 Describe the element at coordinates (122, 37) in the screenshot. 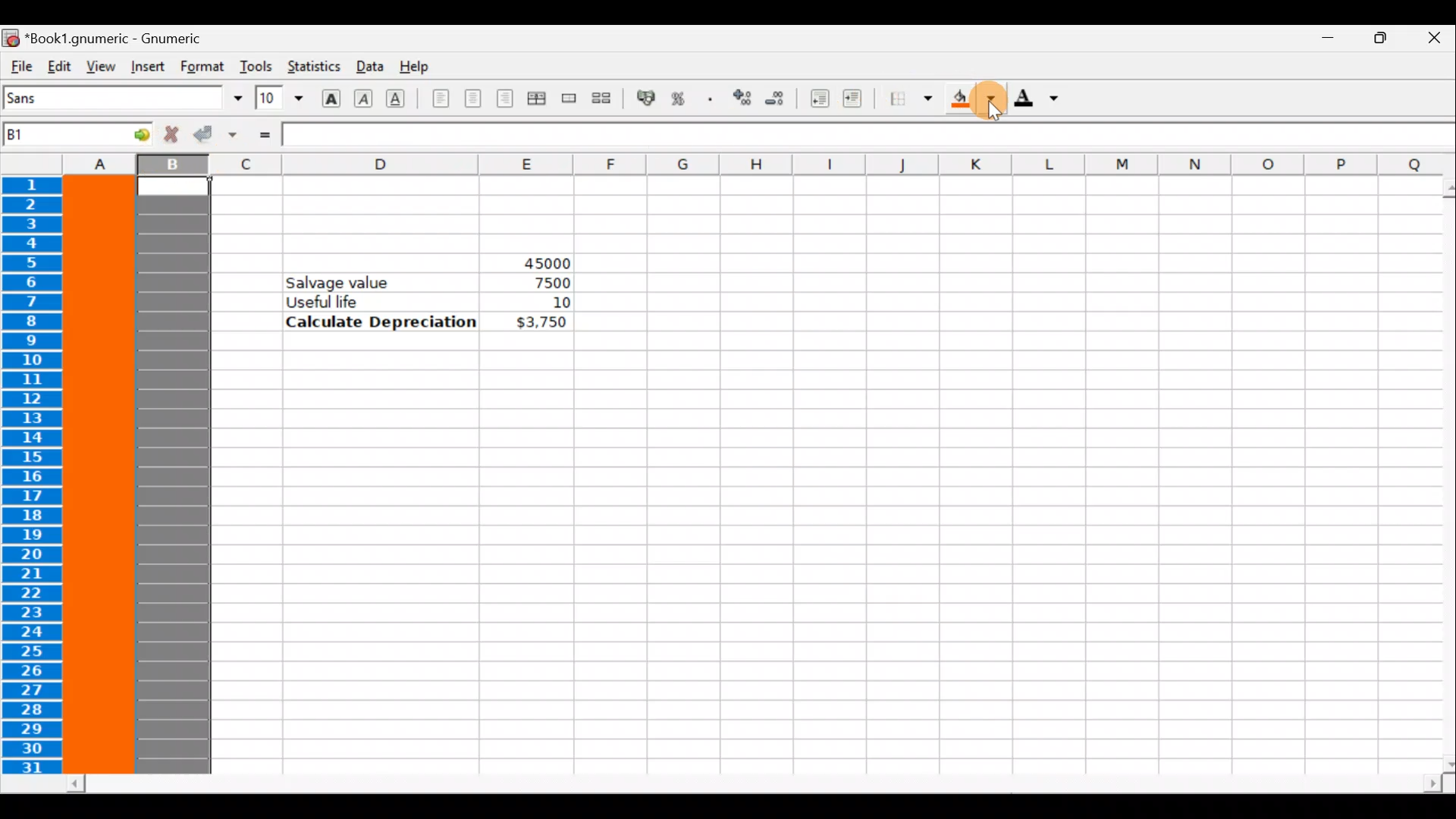

I see `Book1.gnumeric - Gnumeric` at that location.